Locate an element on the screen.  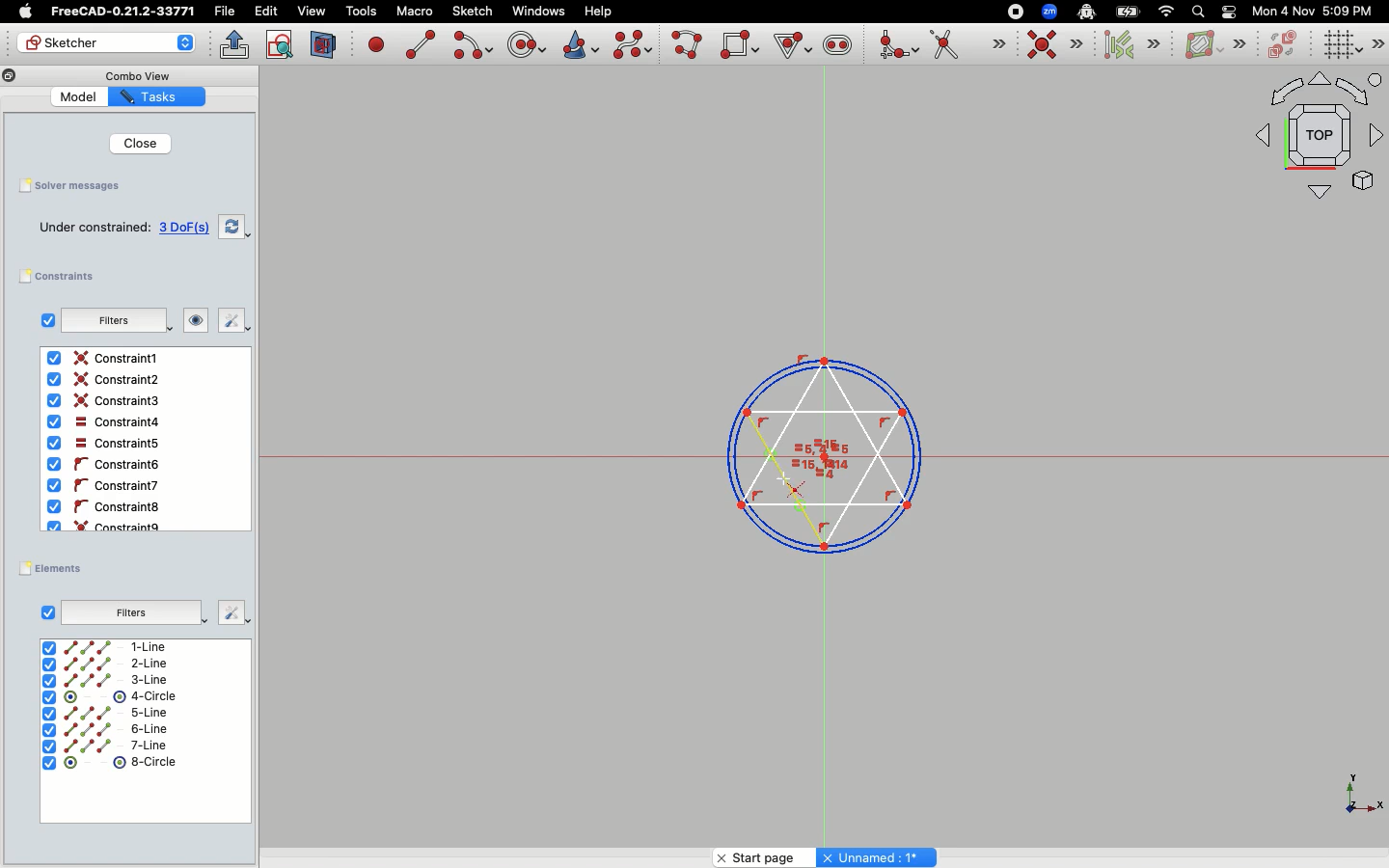
Select associated constraints is located at coordinates (1129, 44).